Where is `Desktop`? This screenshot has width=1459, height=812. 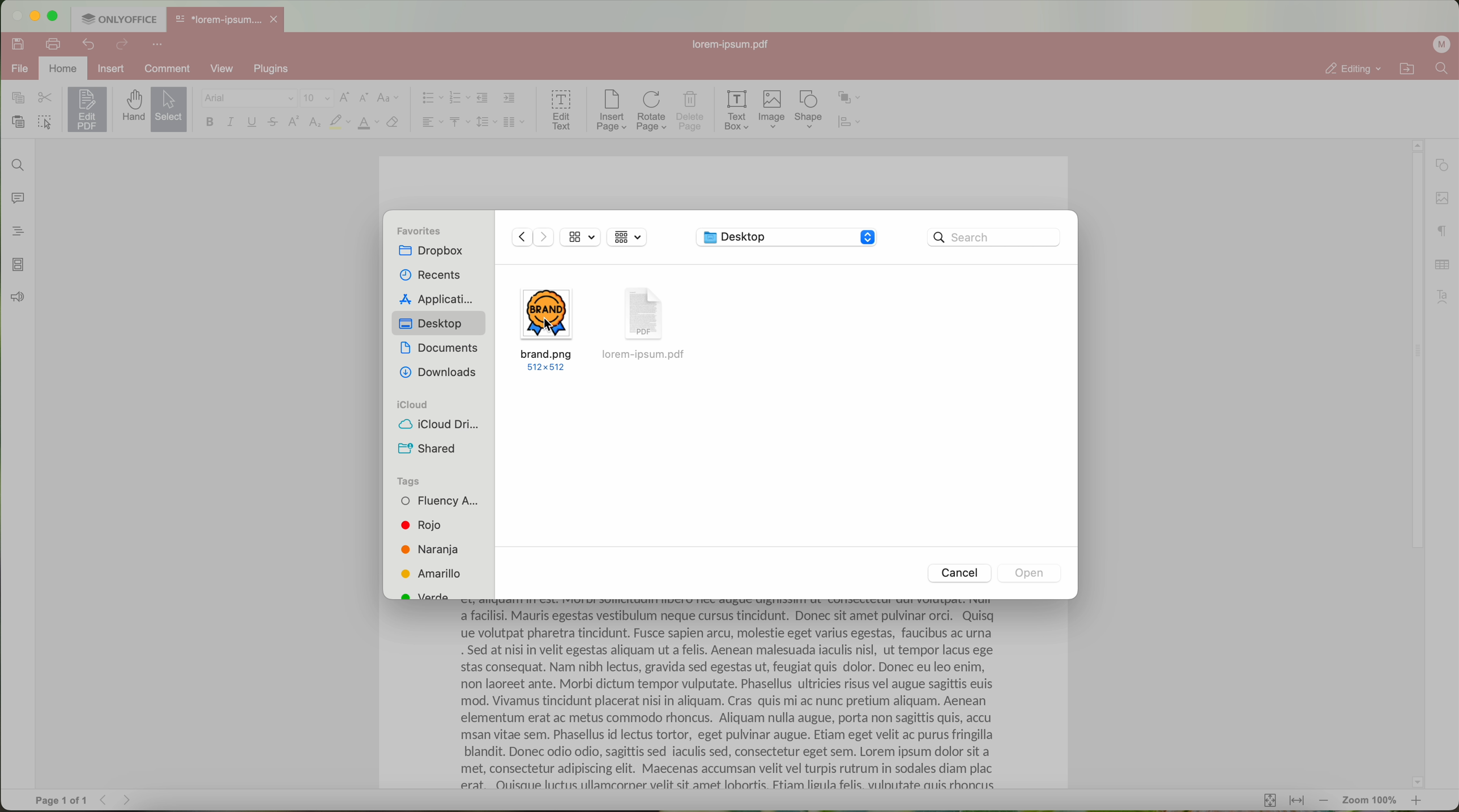
Desktop is located at coordinates (763, 236).